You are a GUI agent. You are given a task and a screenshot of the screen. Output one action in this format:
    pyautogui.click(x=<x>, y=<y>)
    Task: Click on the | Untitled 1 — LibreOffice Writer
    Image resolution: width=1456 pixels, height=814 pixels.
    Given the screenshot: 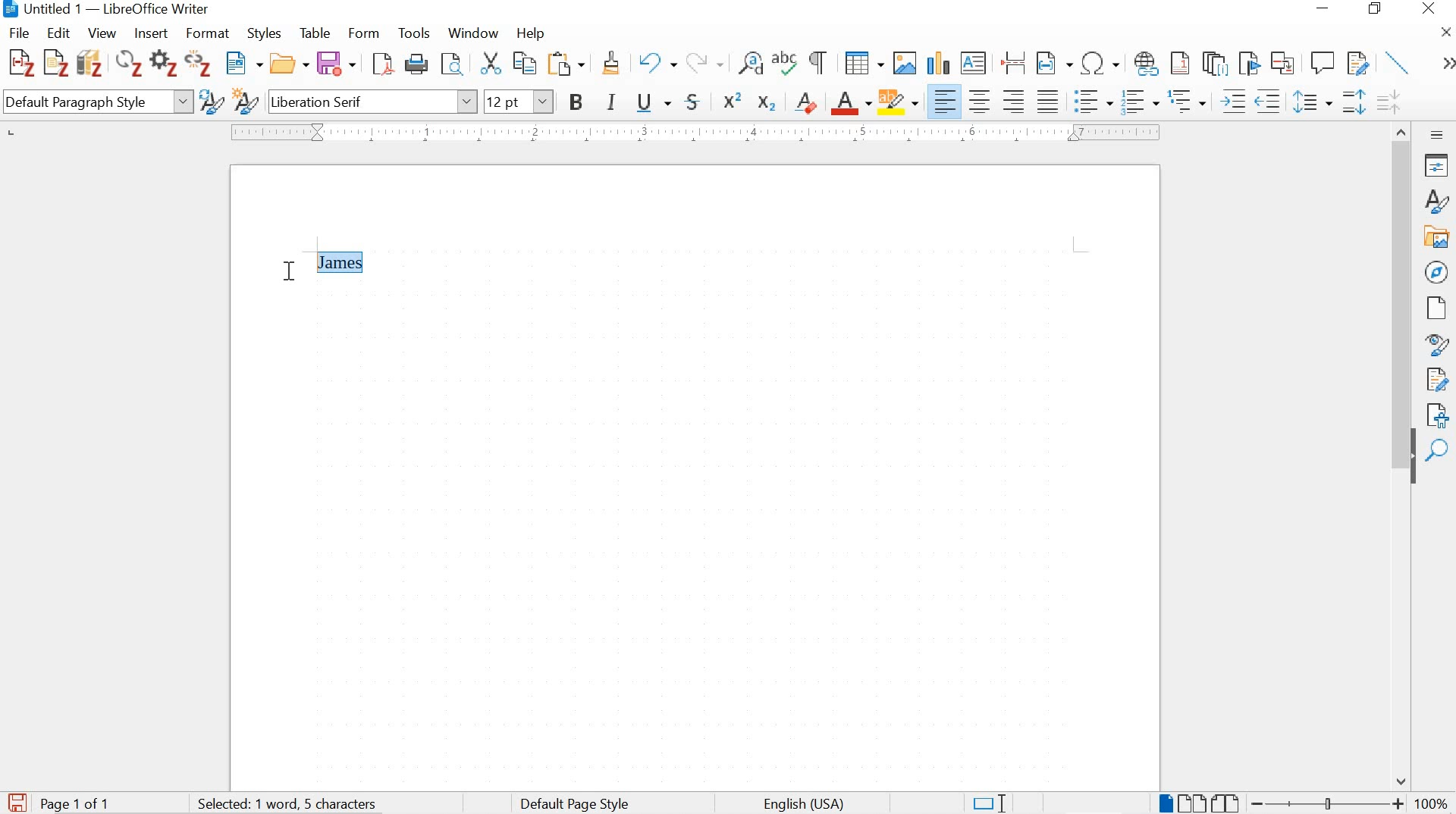 What is the action you would take?
    pyautogui.click(x=108, y=9)
    